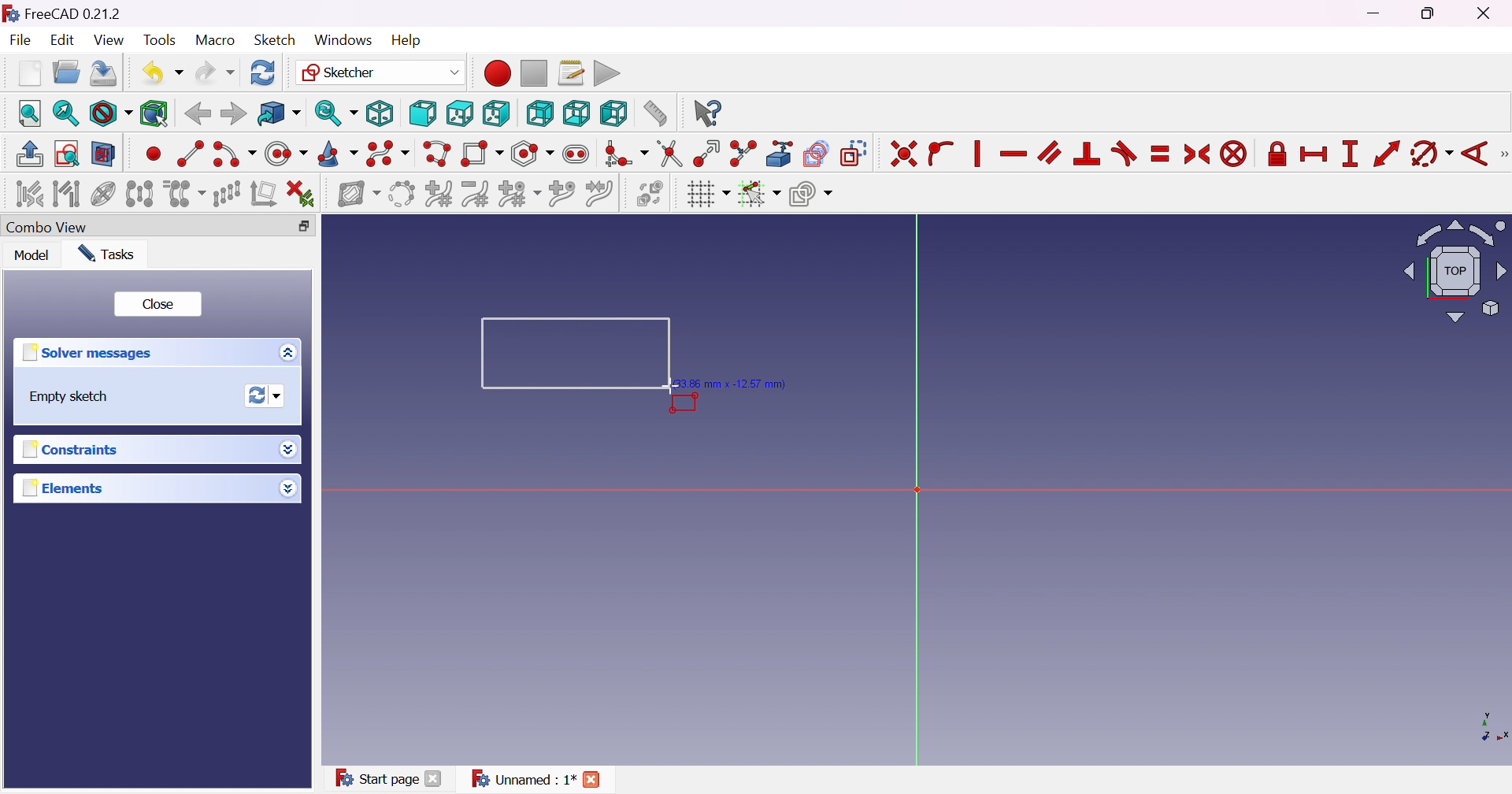 The height and width of the screenshot is (794, 1512). I want to click on Constrain equal, so click(1162, 155).